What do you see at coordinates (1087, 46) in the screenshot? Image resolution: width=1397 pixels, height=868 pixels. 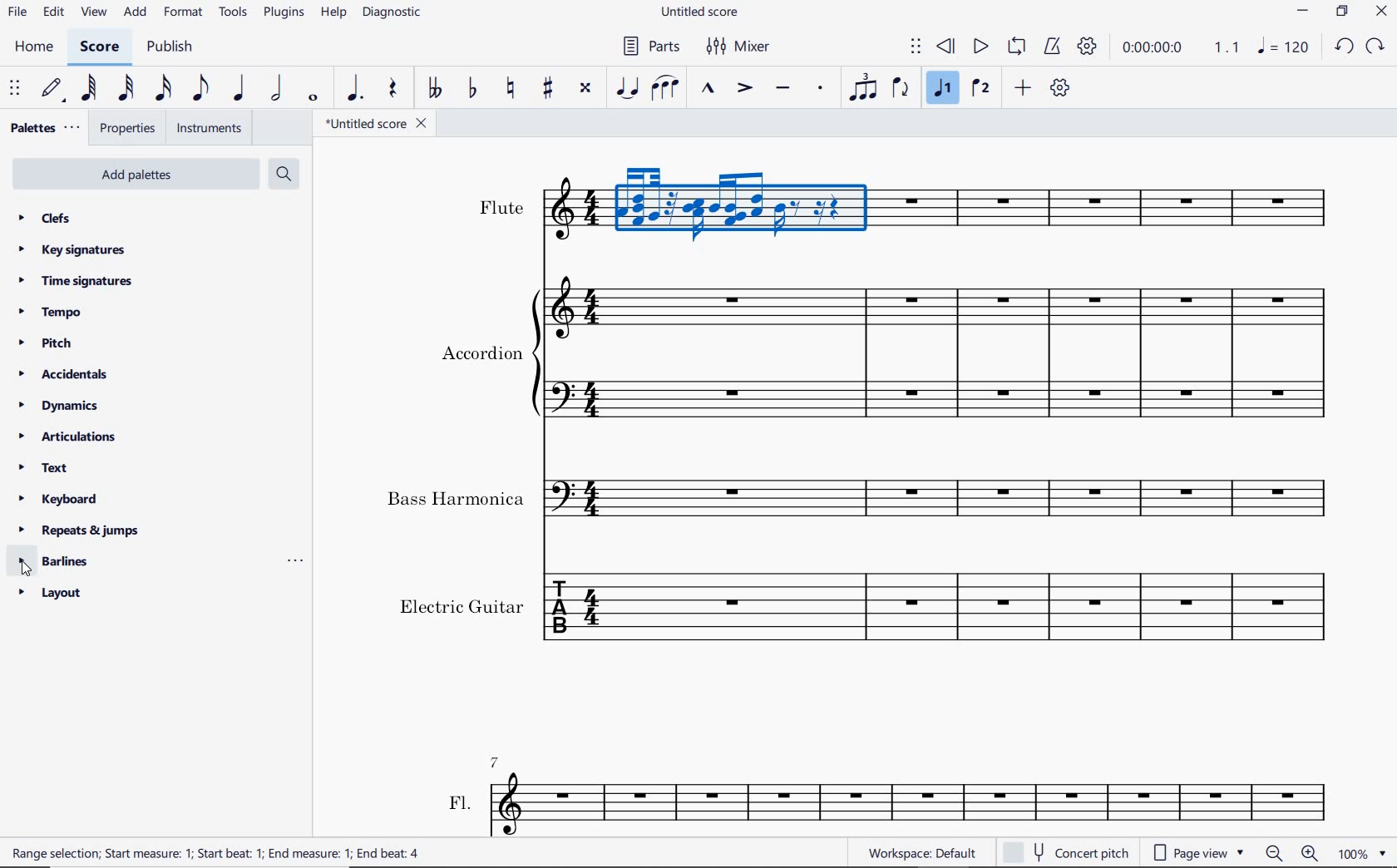 I see `playback settings` at bounding box center [1087, 46].